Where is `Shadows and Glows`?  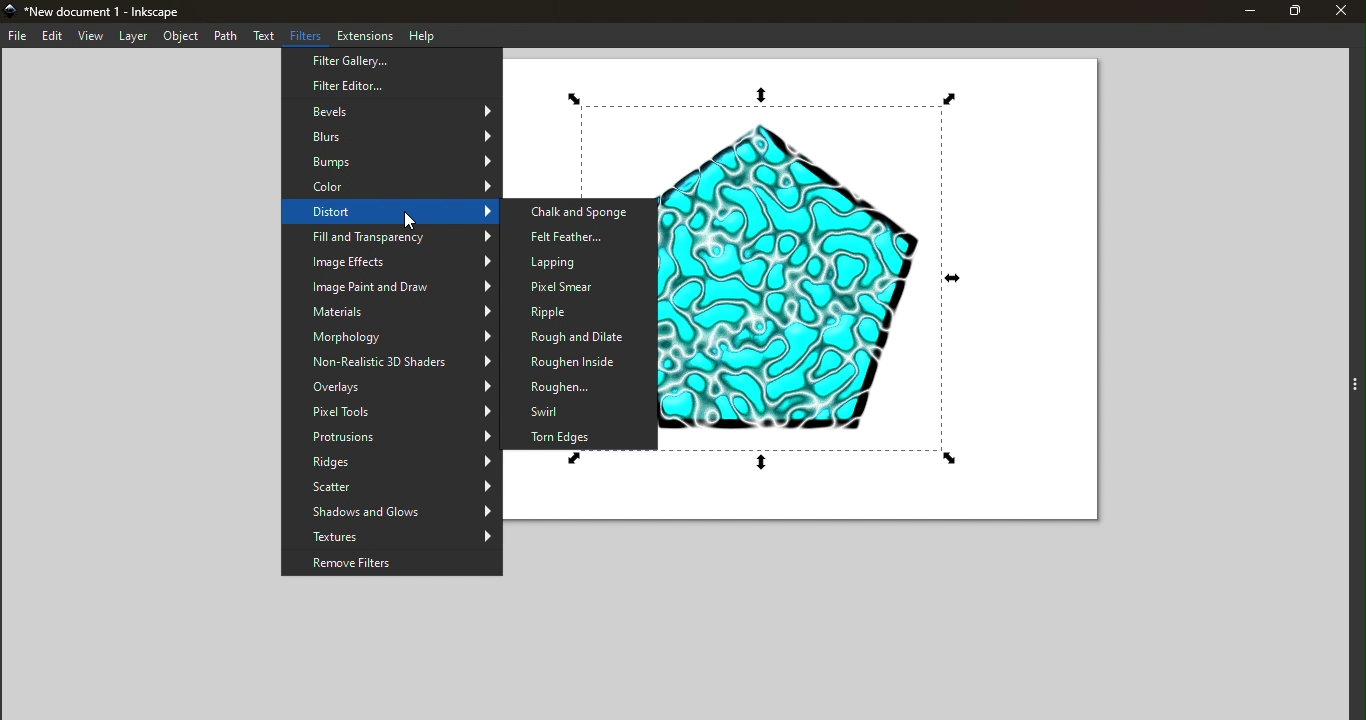 Shadows and Glows is located at coordinates (393, 511).